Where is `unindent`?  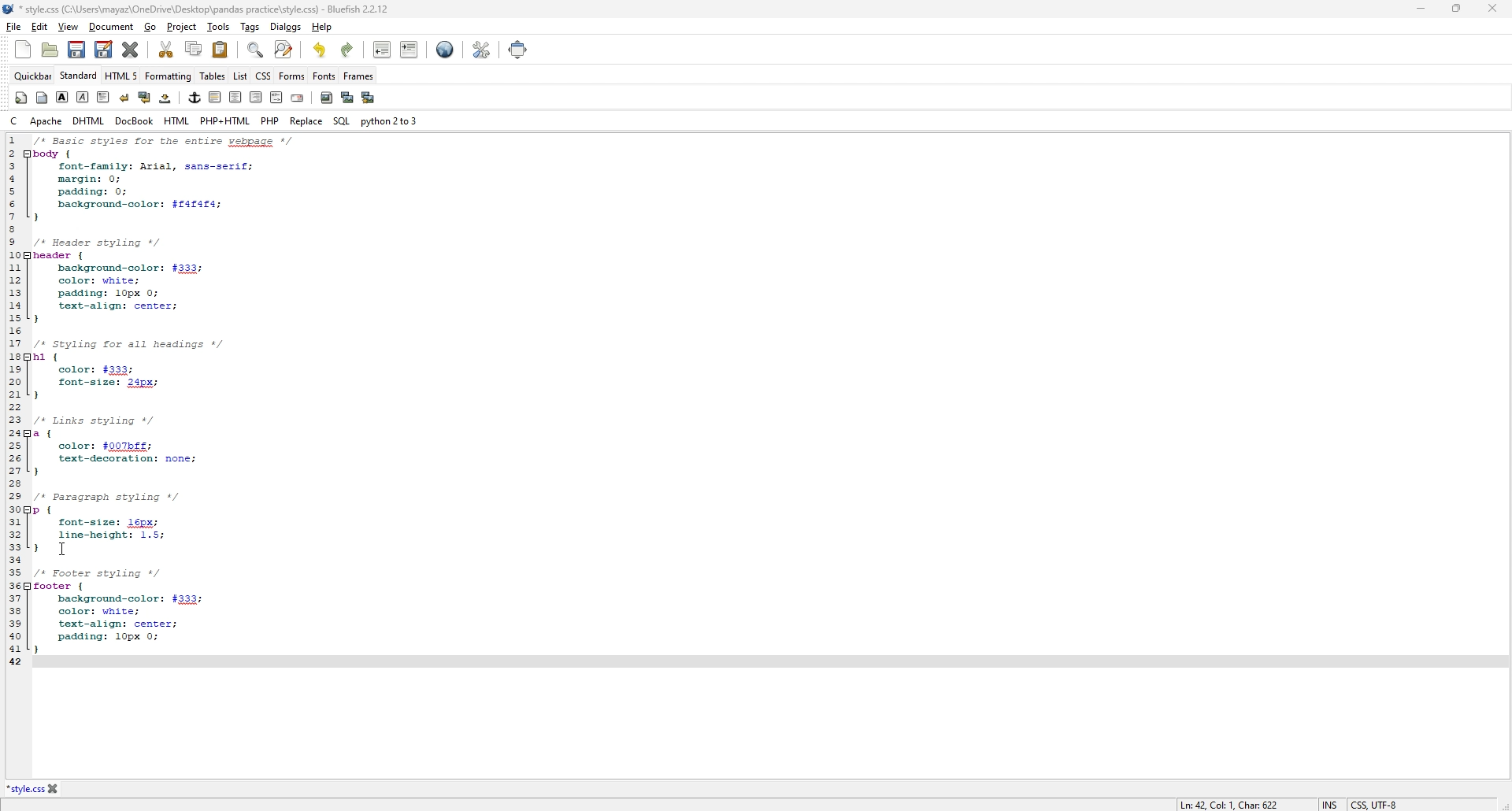
unindent is located at coordinates (383, 50).